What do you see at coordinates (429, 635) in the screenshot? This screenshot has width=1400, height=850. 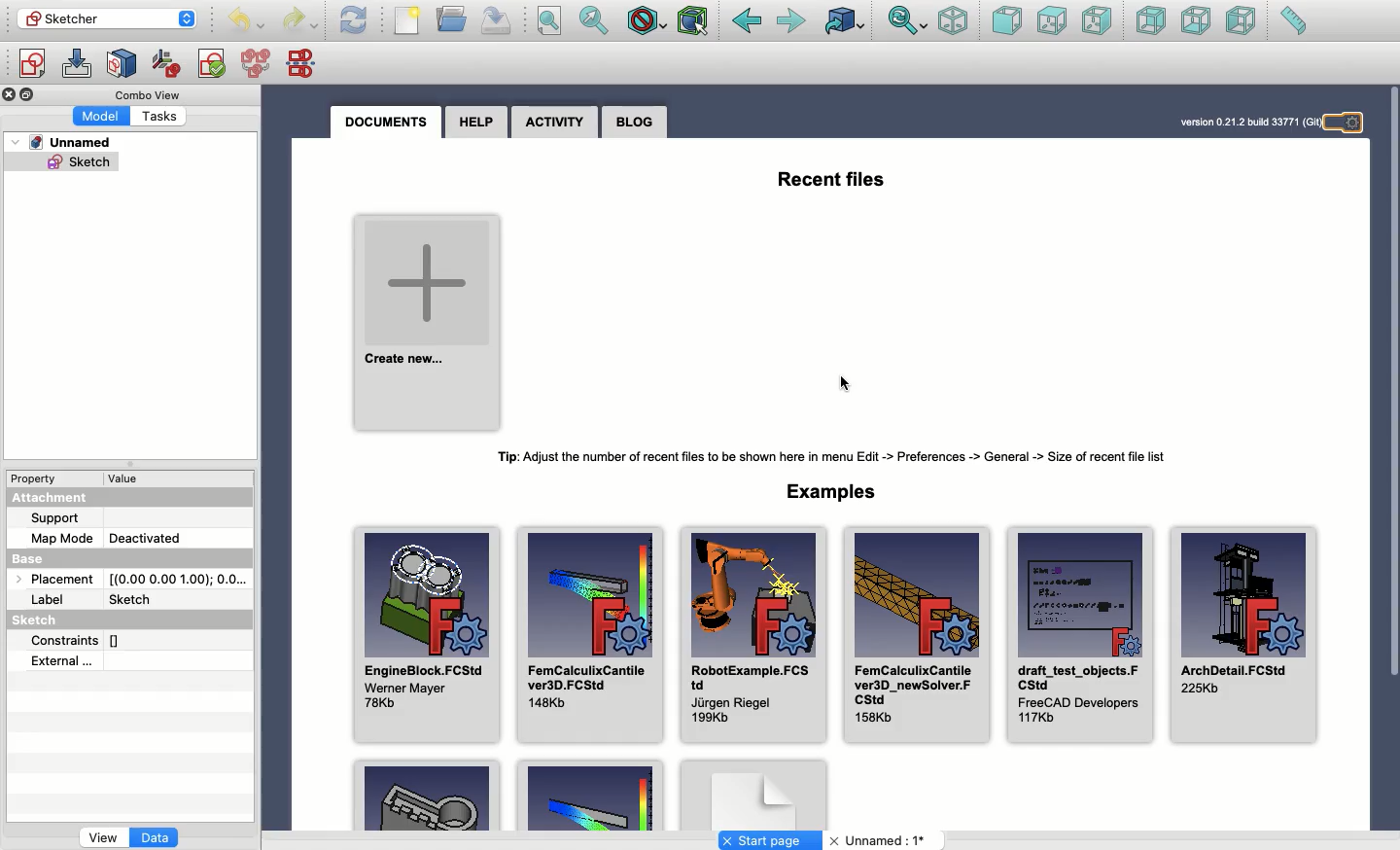 I see `EngineBlock.FCStd Wener Mayer 78Kb` at bounding box center [429, 635].